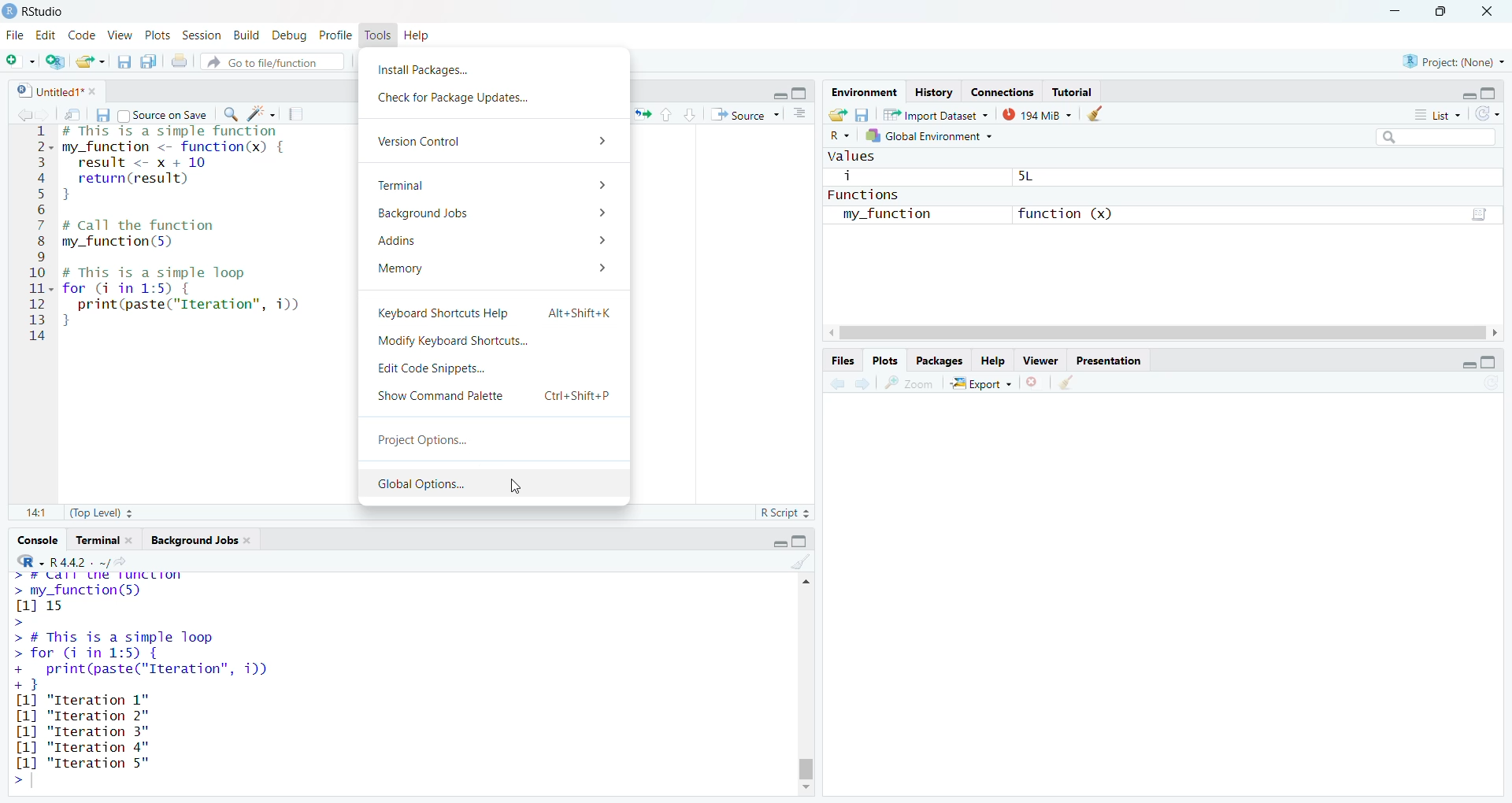  Describe the element at coordinates (1464, 92) in the screenshot. I see `minimize` at that location.